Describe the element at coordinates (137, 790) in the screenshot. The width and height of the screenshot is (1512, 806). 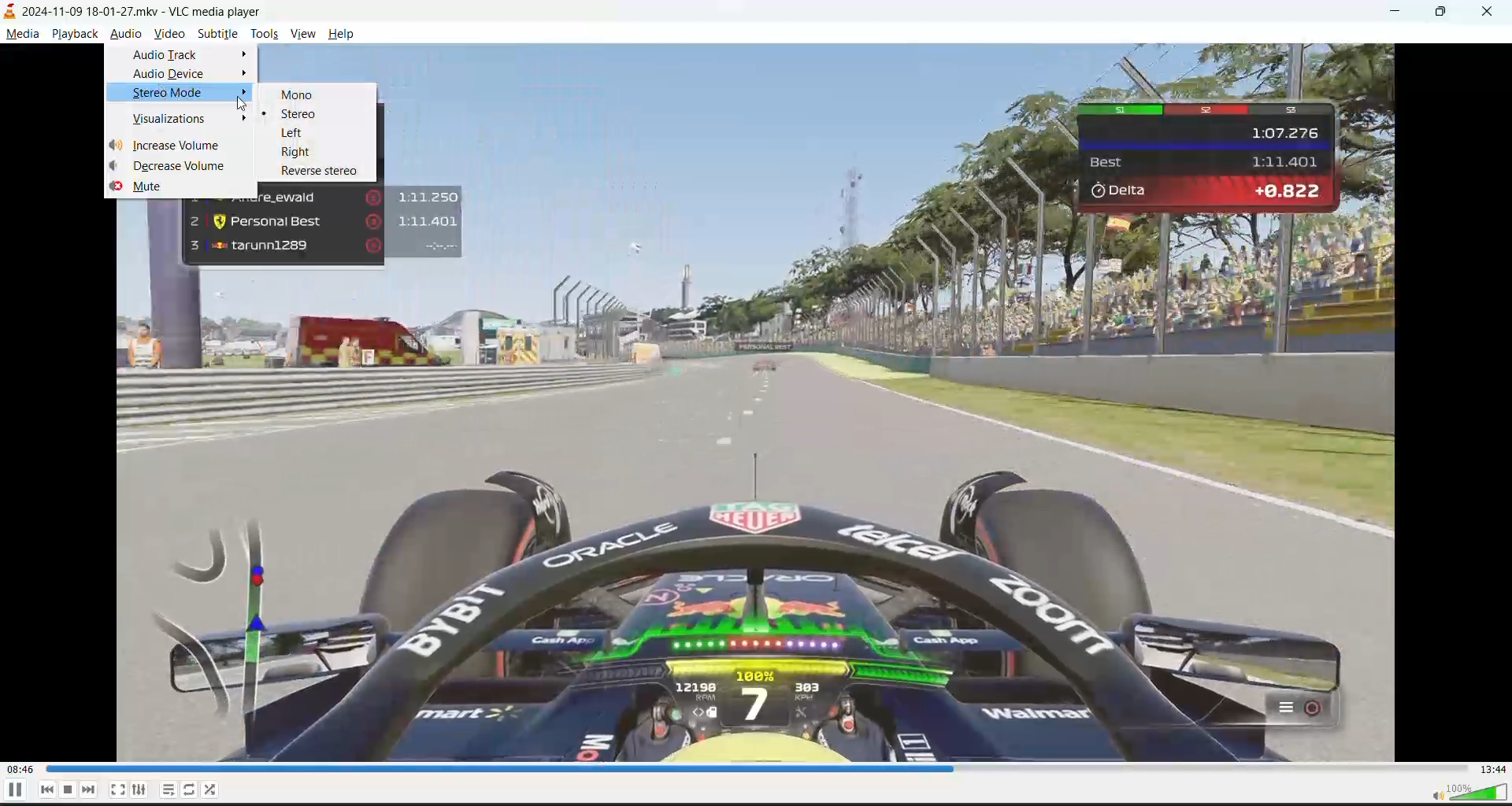
I see `settings` at that location.